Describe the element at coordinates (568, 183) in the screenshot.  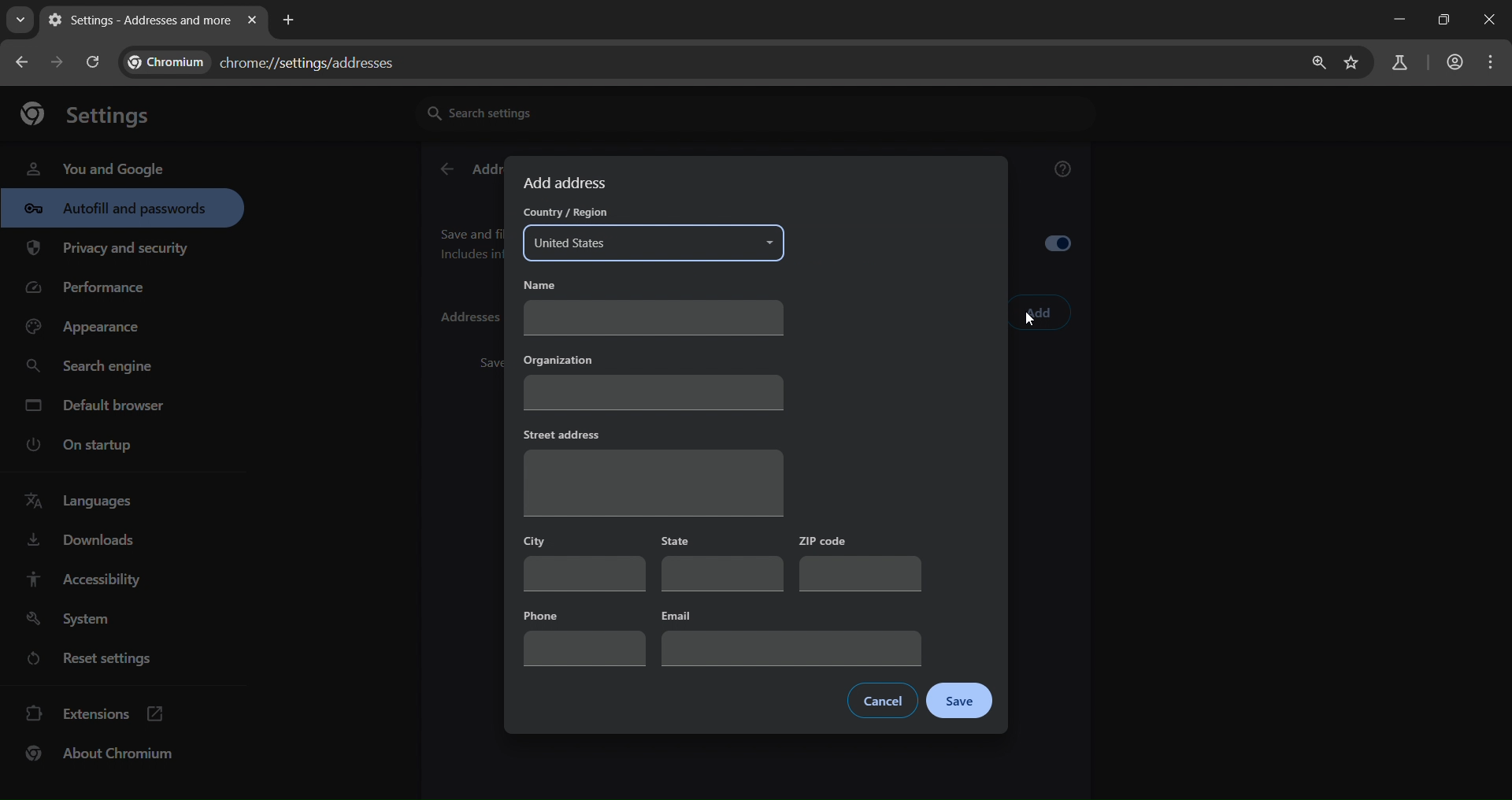
I see `add address` at that location.